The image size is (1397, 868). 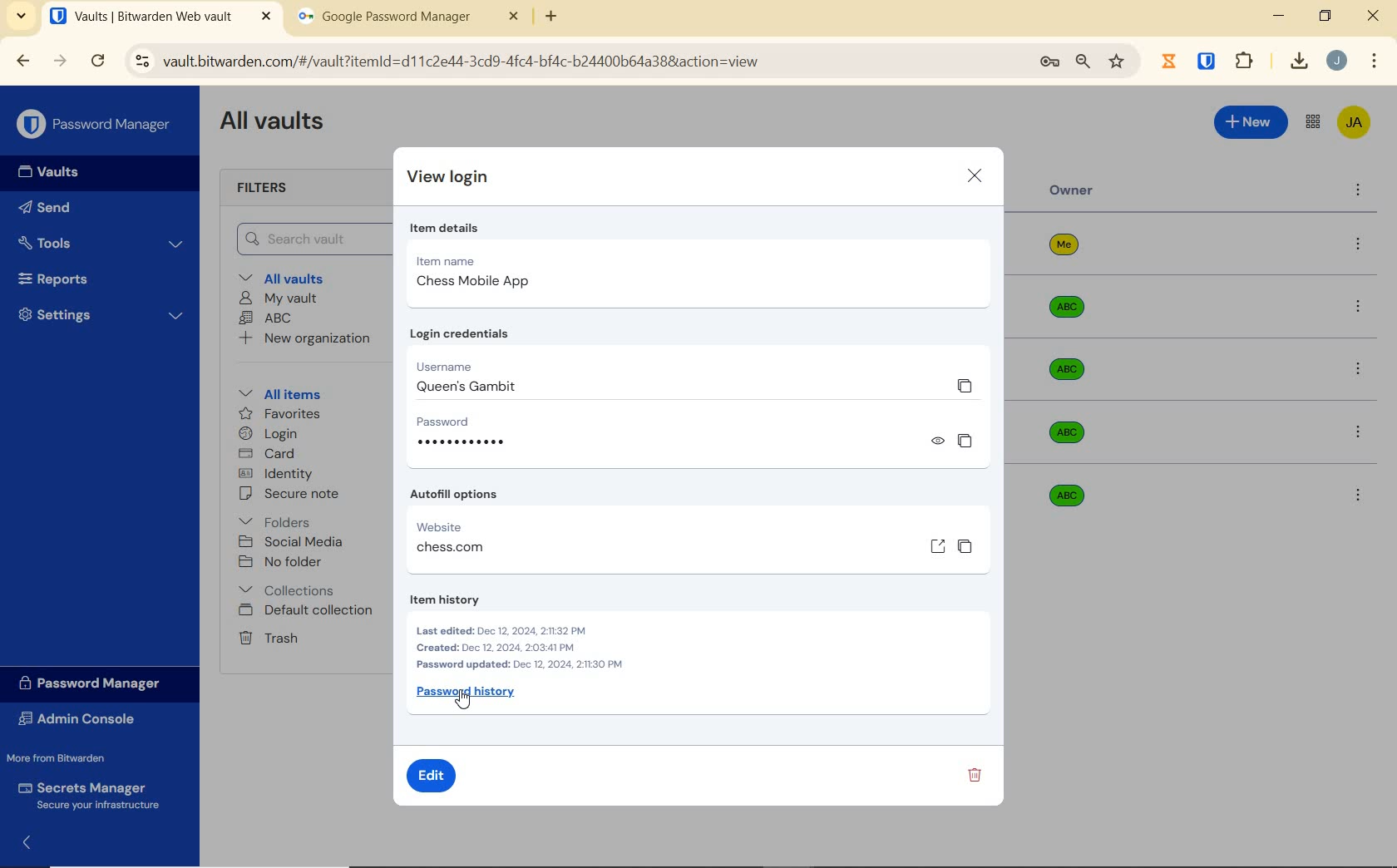 I want to click on address bar, so click(x=570, y=64).